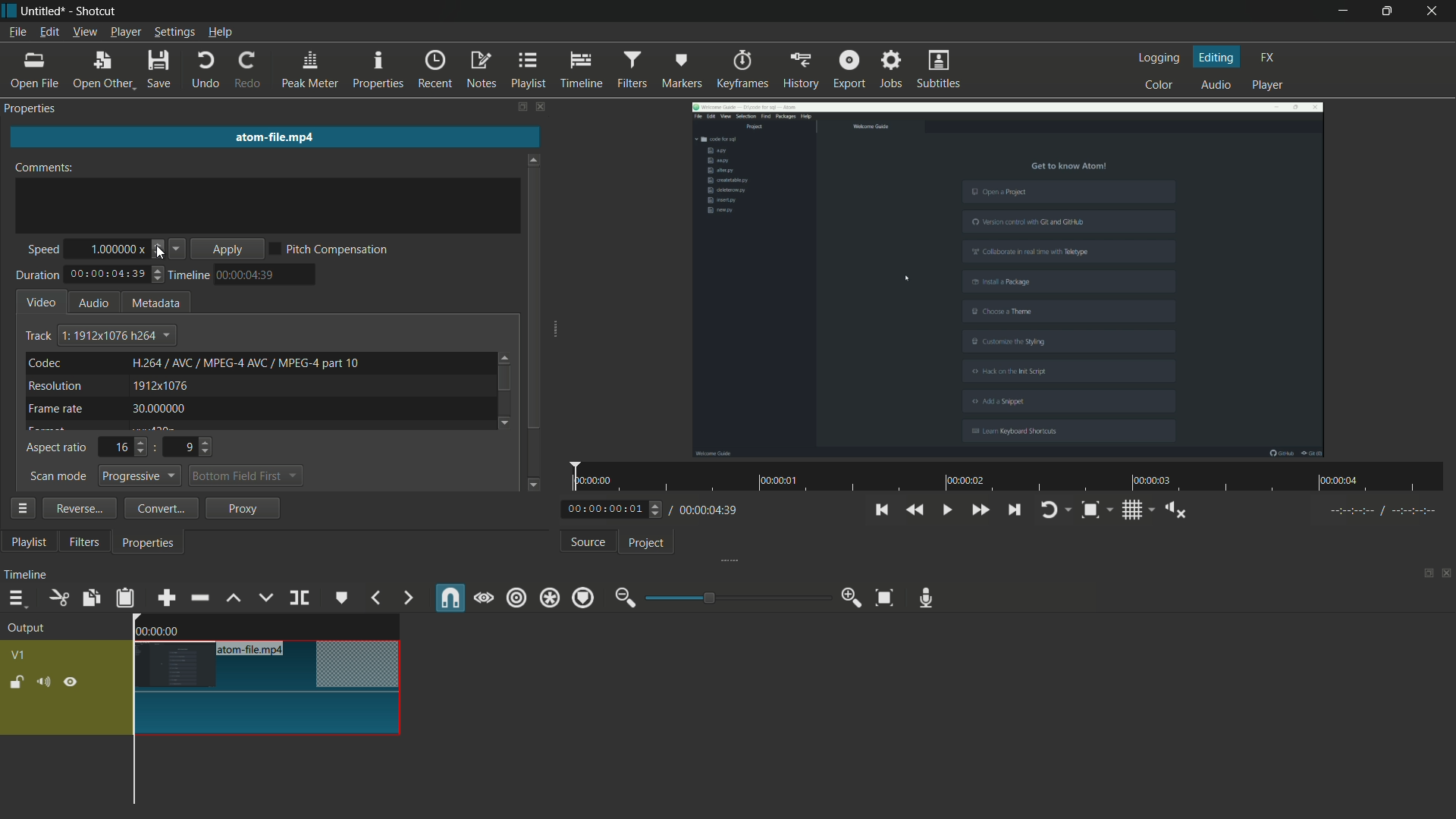 The height and width of the screenshot is (819, 1456). What do you see at coordinates (1384, 511) in the screenshot?
I see `in point` at bounding box center [1384, 511].